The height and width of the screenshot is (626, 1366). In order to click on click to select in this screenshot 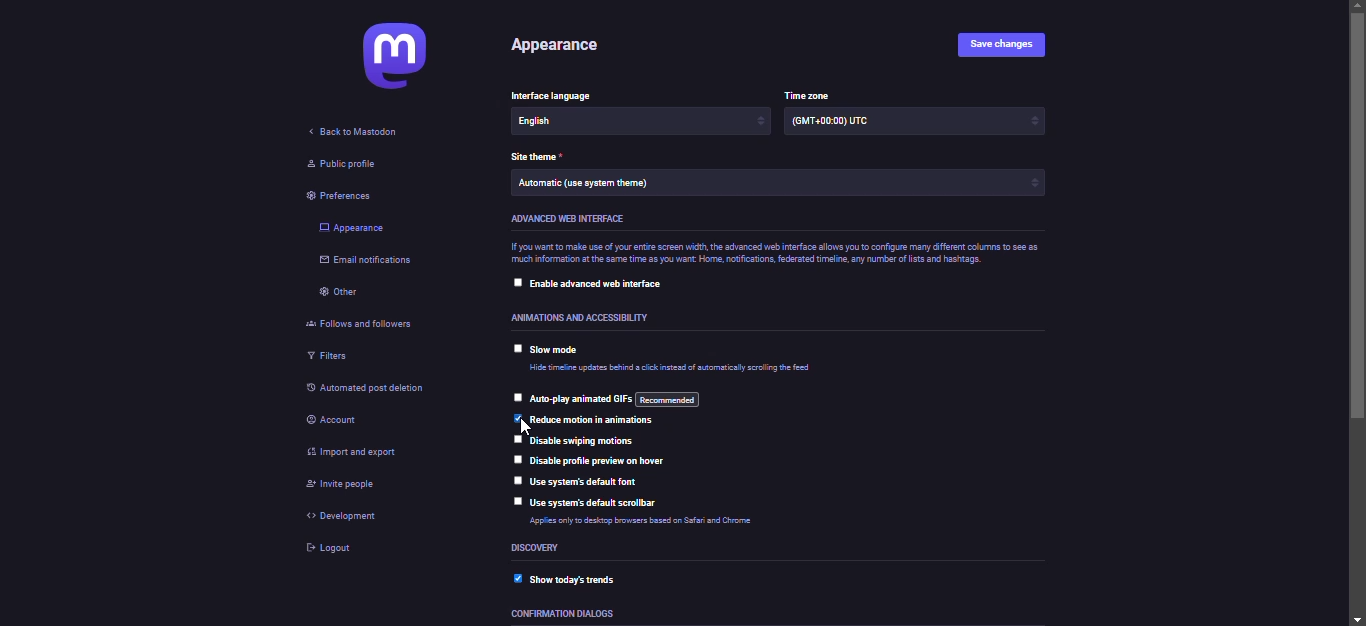, I will do `click(517, 348)`.